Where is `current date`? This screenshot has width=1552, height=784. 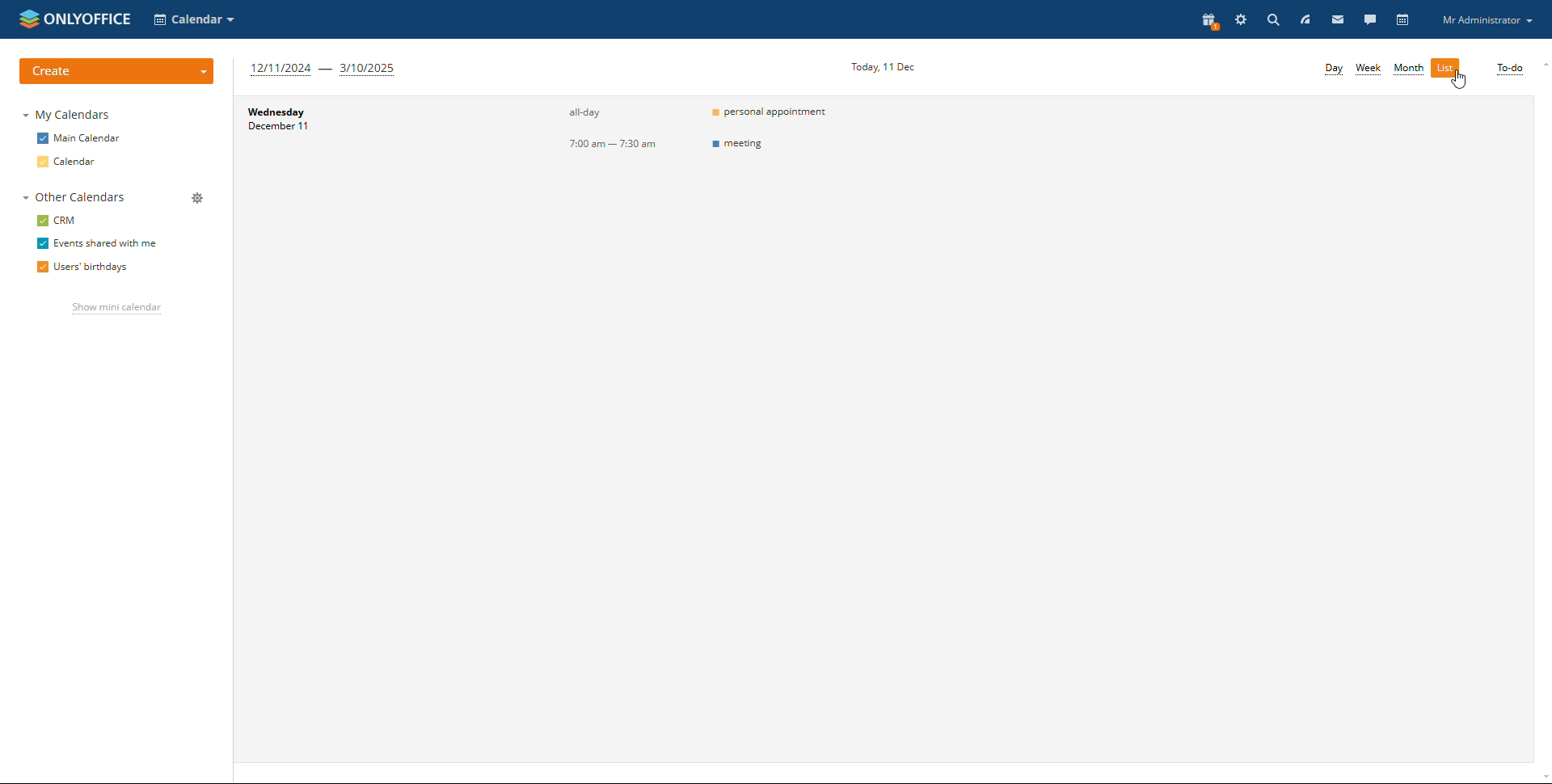 current date is located at coordinates (882, 67).